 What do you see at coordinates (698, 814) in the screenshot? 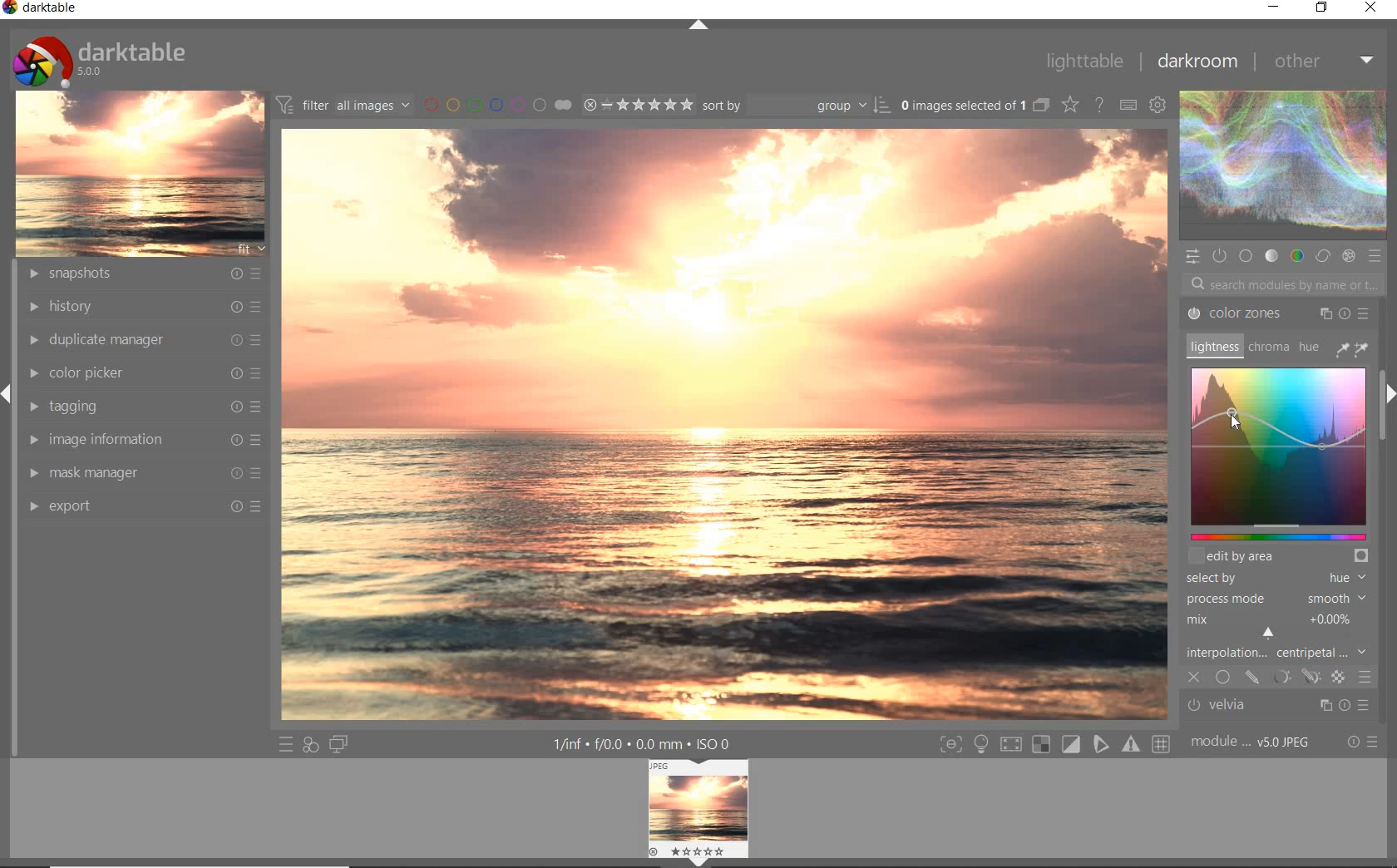
I see `IMAGE PREVIEW` at bounding box center [698, 814].